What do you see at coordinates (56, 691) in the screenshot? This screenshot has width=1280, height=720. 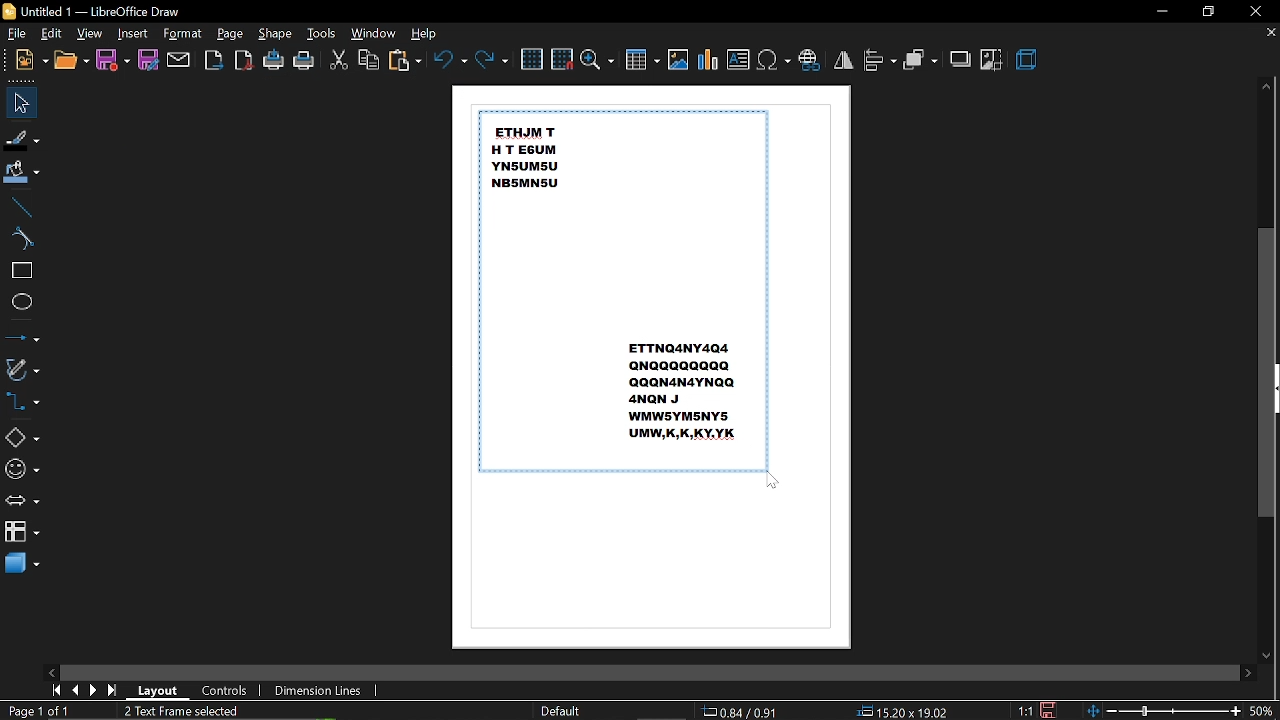 I see `go to first page` at bounding box center [56, 691].